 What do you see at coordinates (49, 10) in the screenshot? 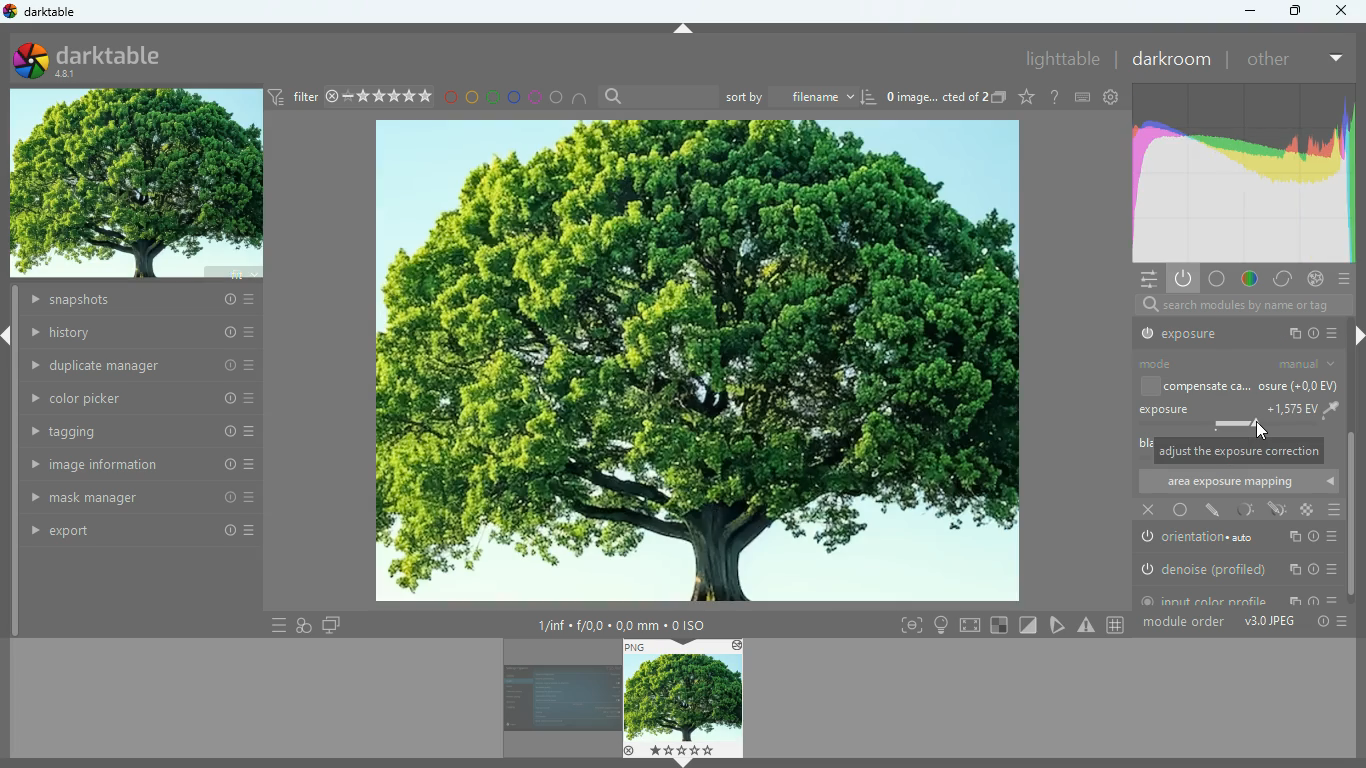
I see `darktable` at bounding box center [49, 10].